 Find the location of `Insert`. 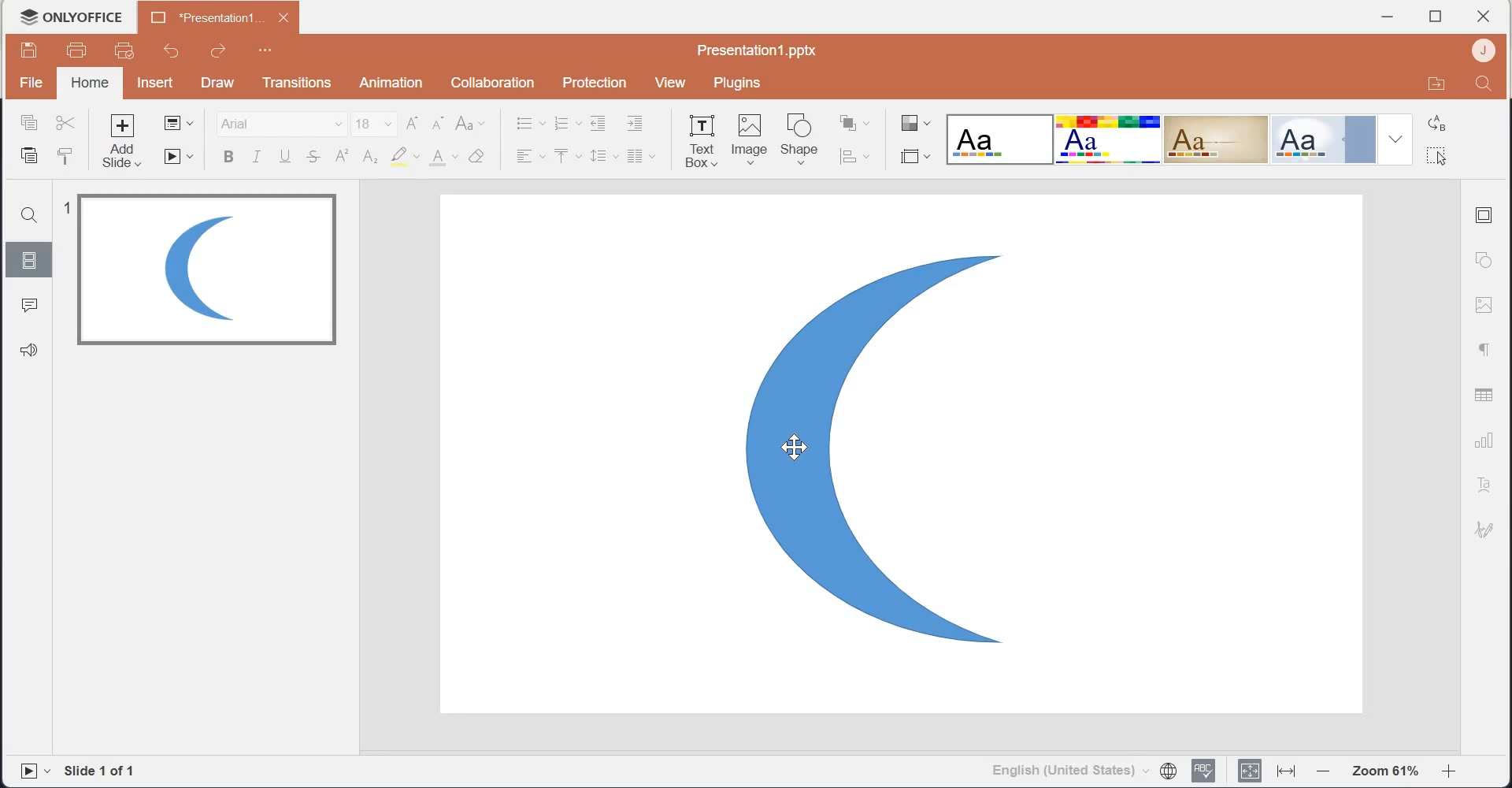

Insert is located at coordinates (157, 82).